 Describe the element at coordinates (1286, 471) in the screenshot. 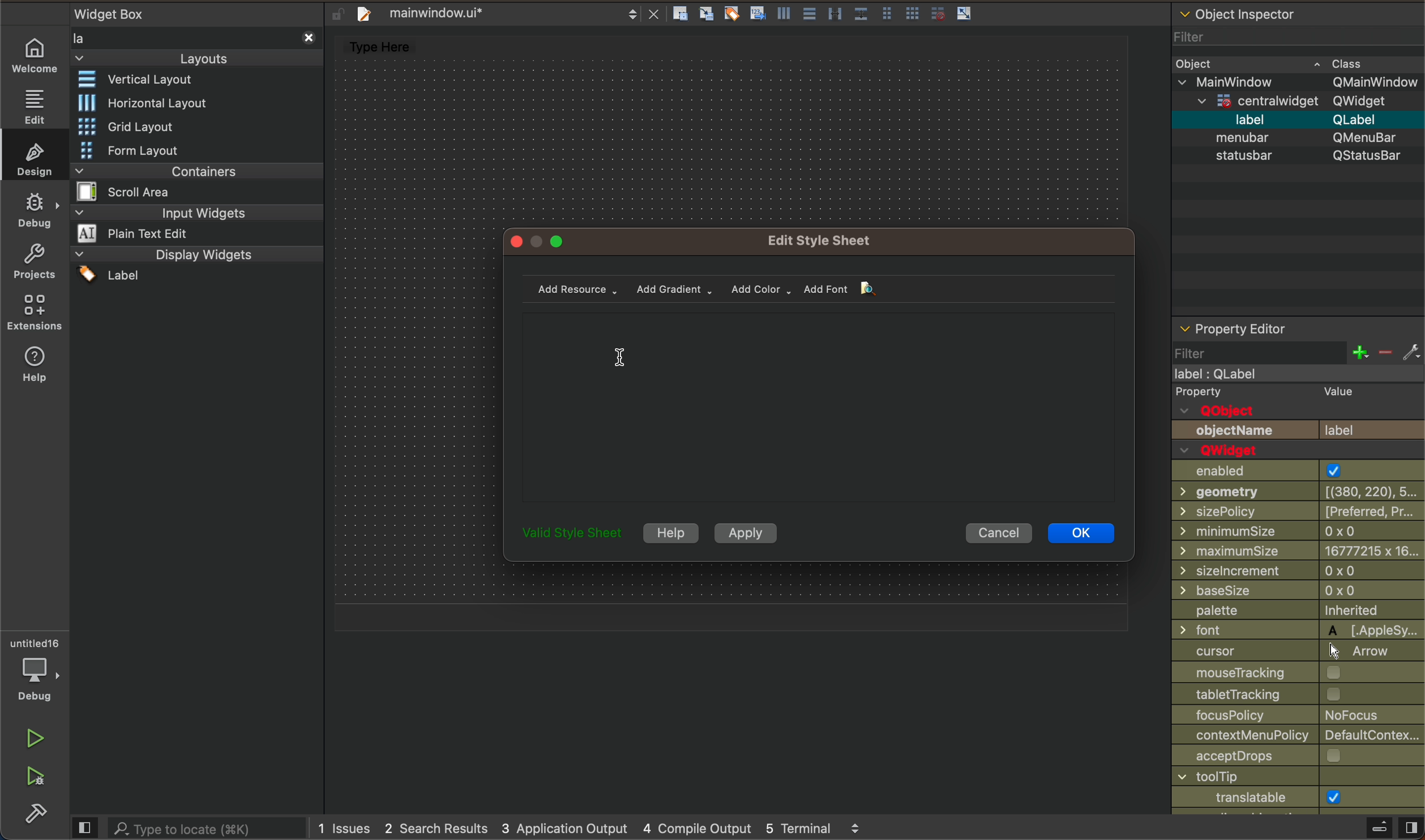

I see `enabled` at that location.